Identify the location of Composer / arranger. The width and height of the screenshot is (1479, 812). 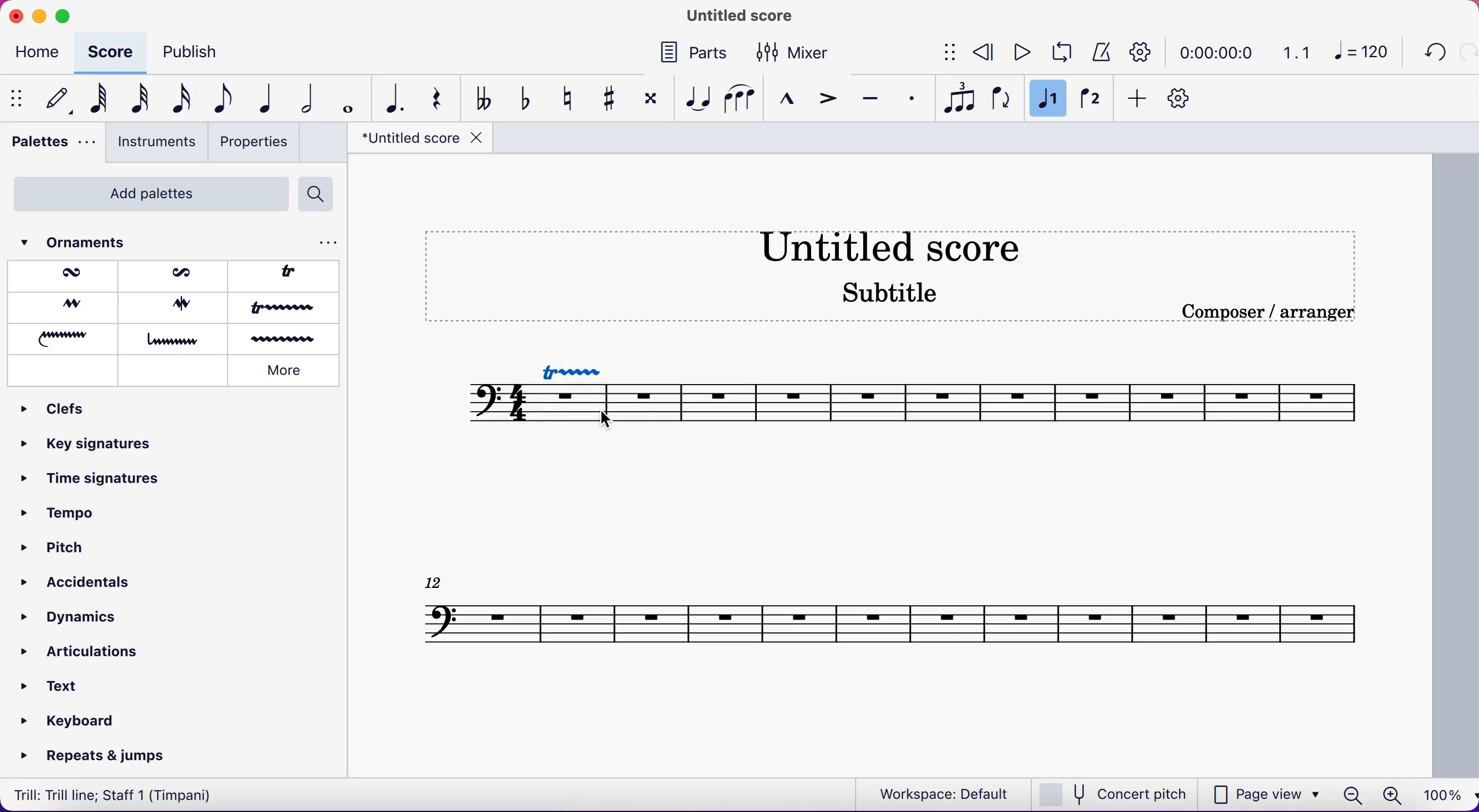
(1281, 312).